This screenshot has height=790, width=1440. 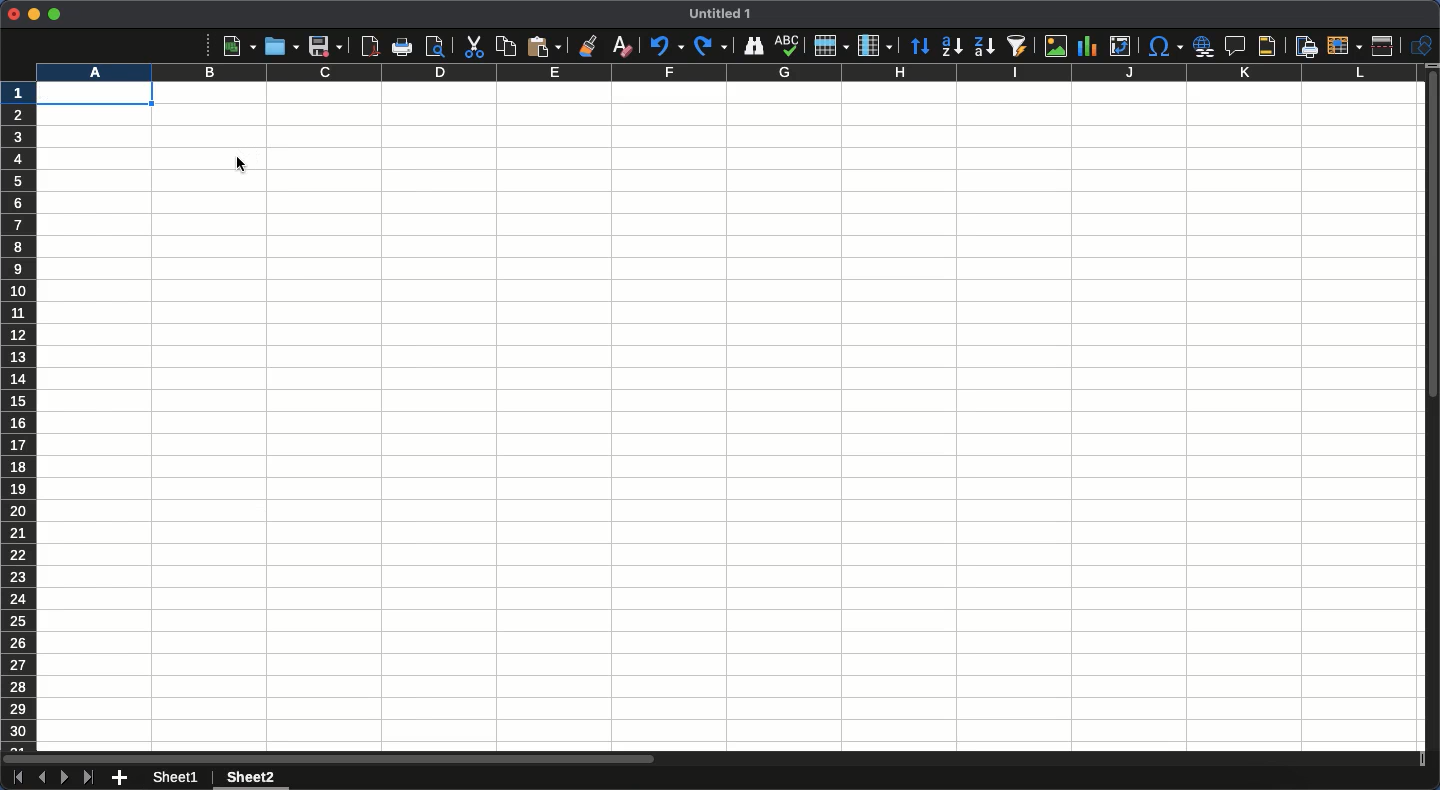 What do you see at coordinates (506, 46) in the screenshot?
I see `Copy` at bounding box center [506, 46].